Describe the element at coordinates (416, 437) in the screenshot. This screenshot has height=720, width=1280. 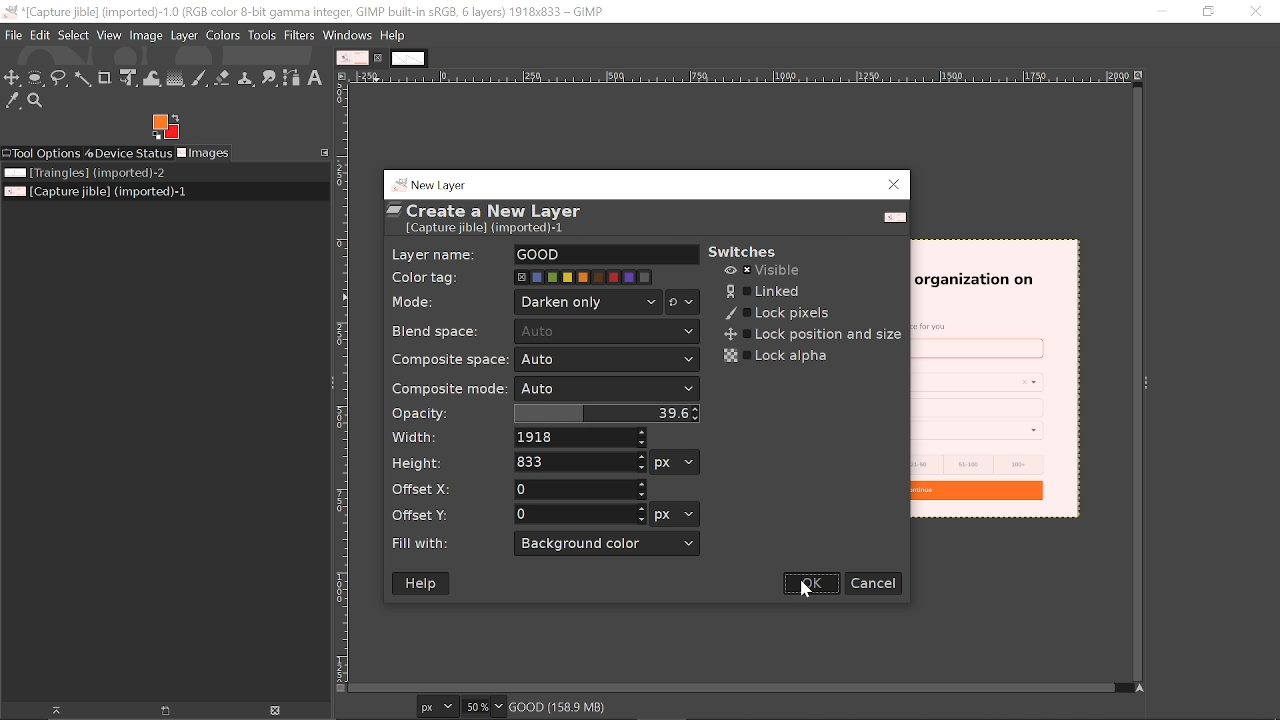
I see `Width:` at that location.